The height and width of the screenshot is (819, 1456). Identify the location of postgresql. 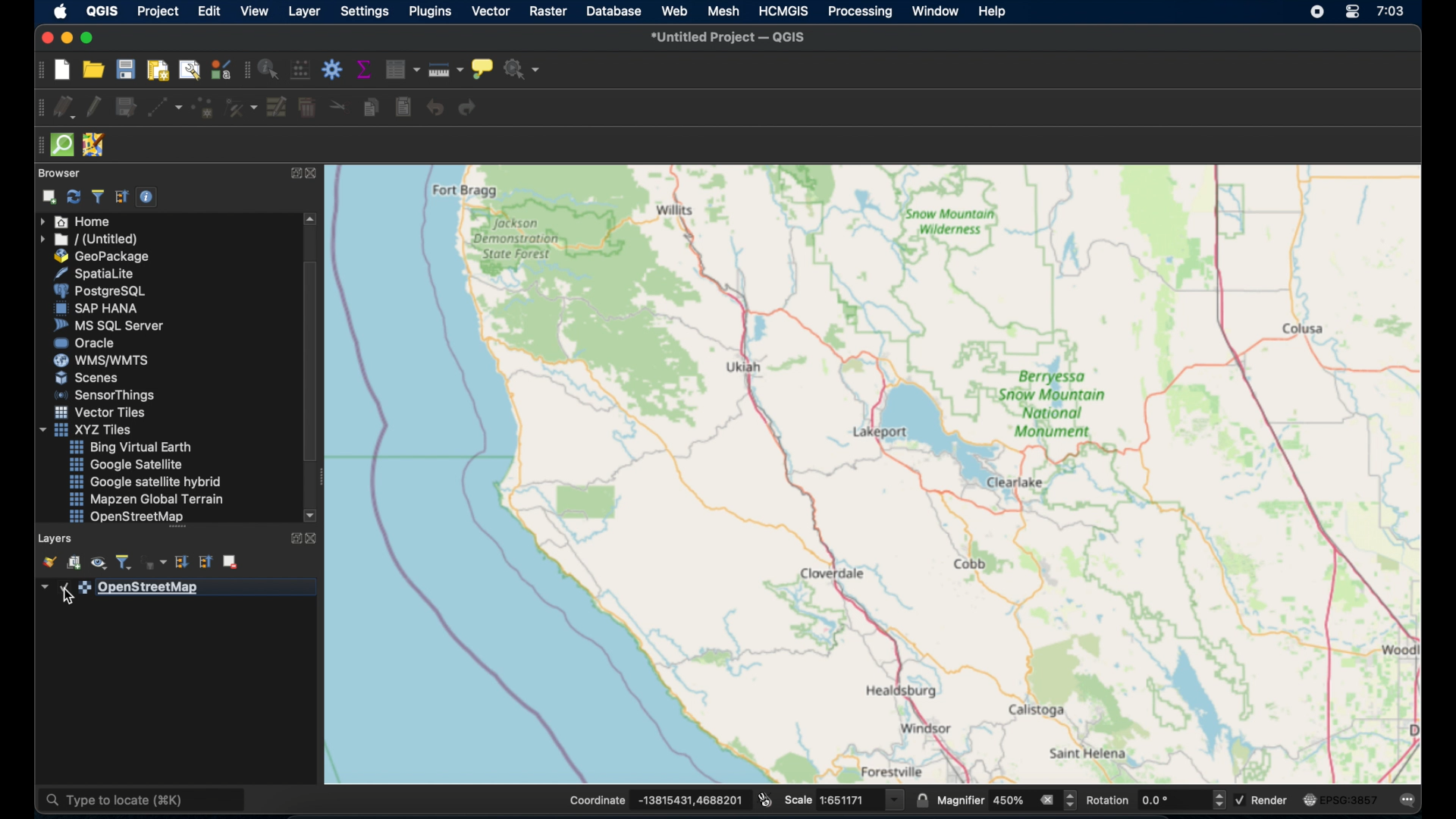
(100, 291).